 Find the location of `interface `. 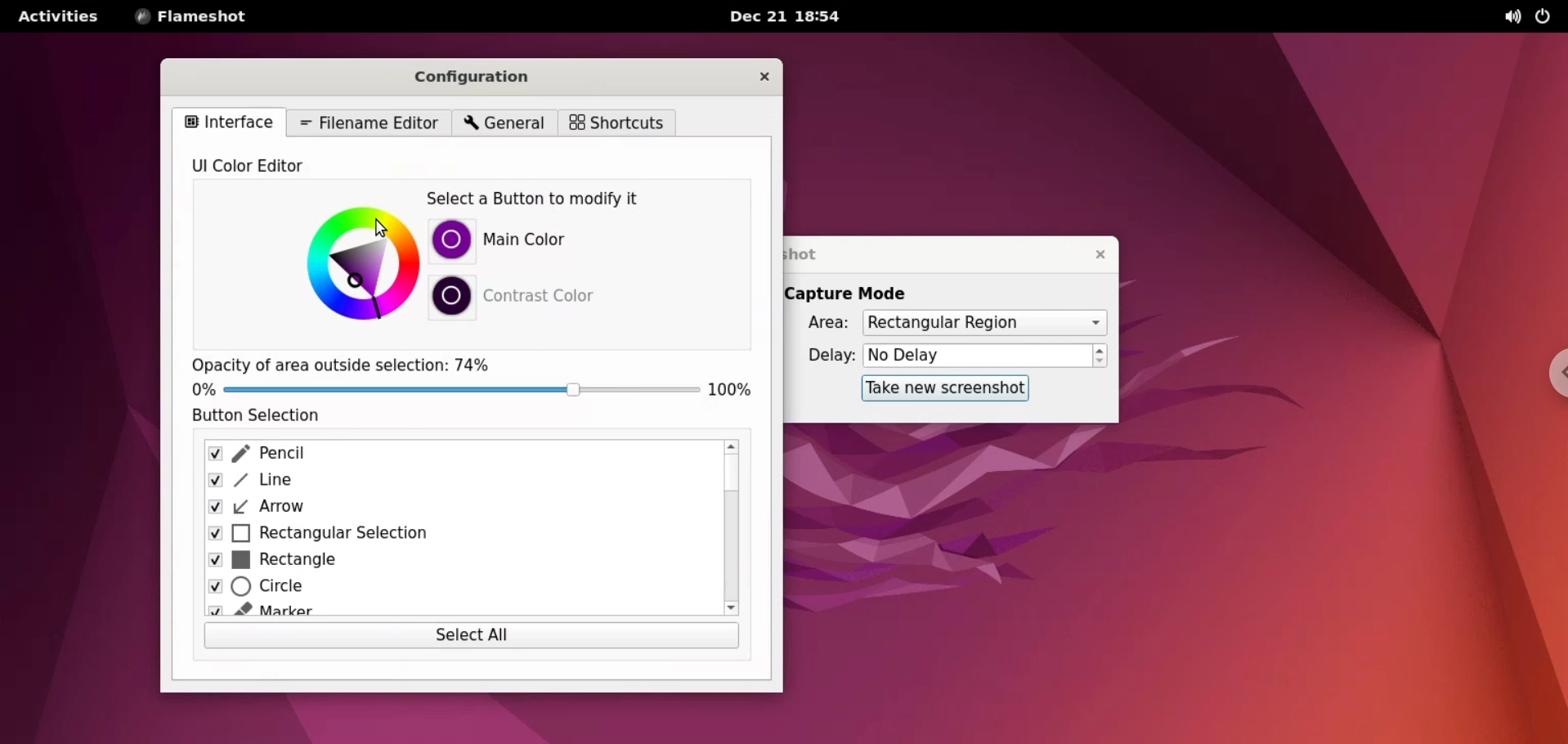

interface  is located at coordinates (232, 123).